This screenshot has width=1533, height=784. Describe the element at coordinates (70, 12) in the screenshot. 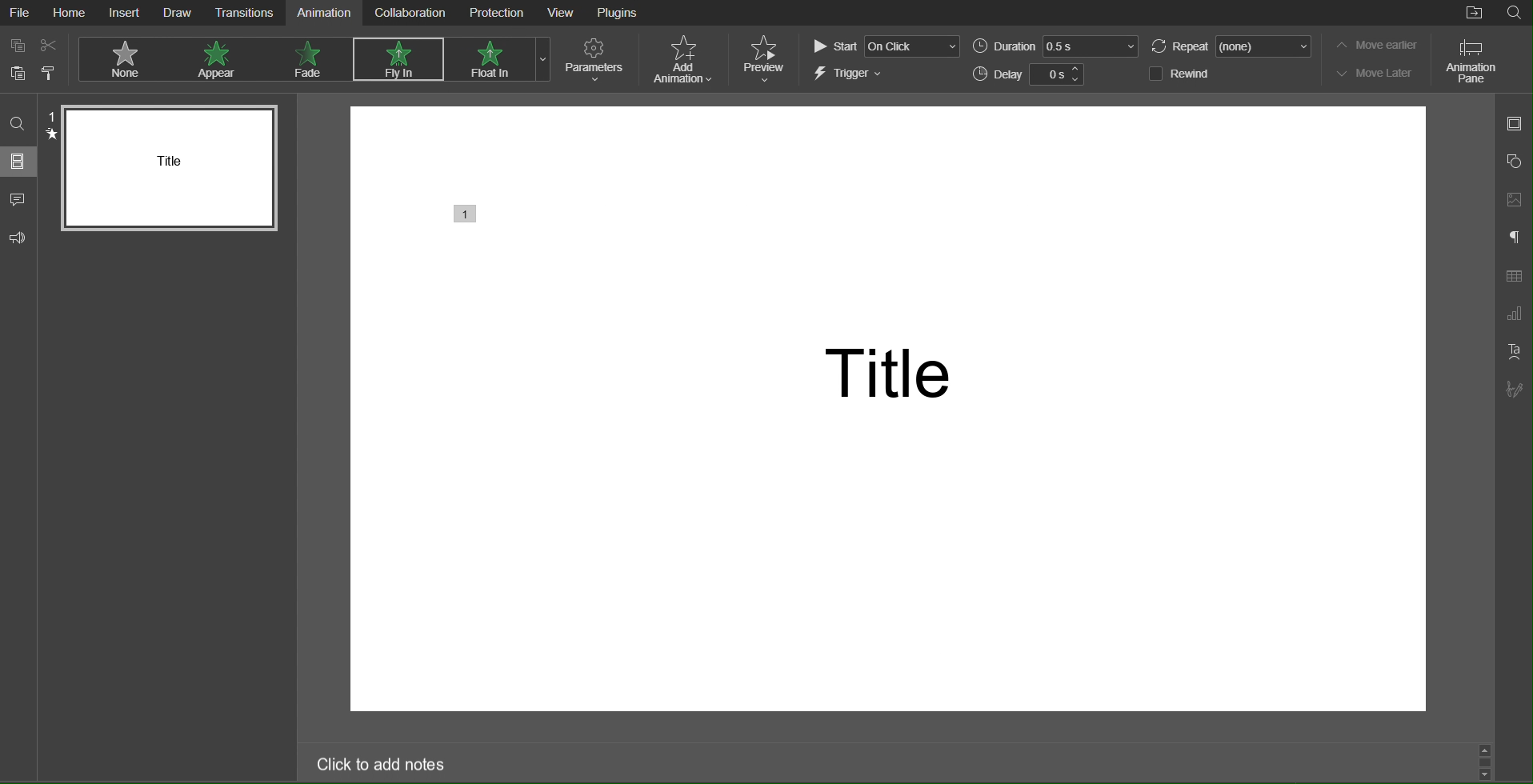

I see `Home` at that location.